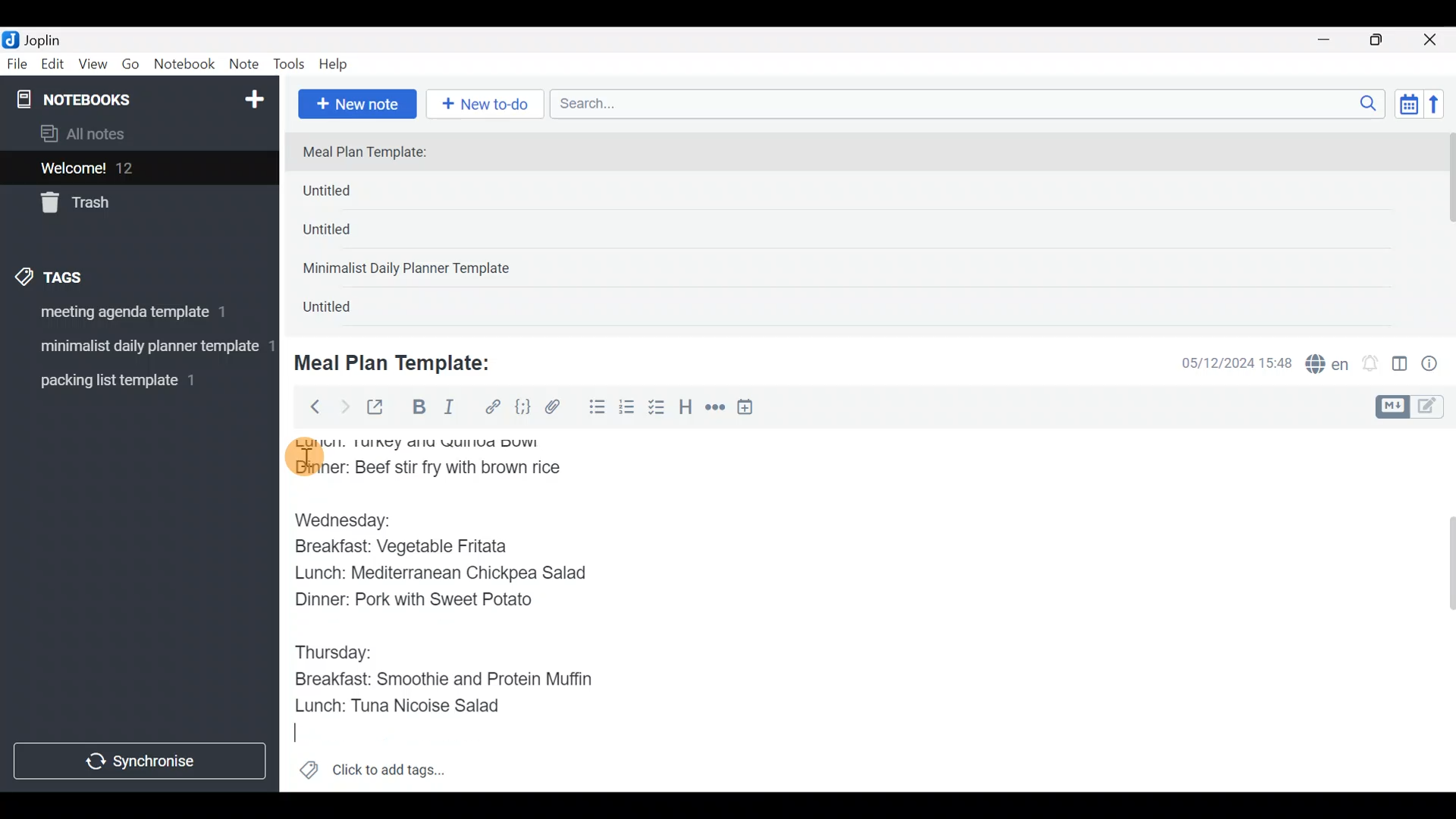  What do you see at coordinates (594, 408) in the screenshot?
I see `Bulleted list` at bounding box center [594, 408].